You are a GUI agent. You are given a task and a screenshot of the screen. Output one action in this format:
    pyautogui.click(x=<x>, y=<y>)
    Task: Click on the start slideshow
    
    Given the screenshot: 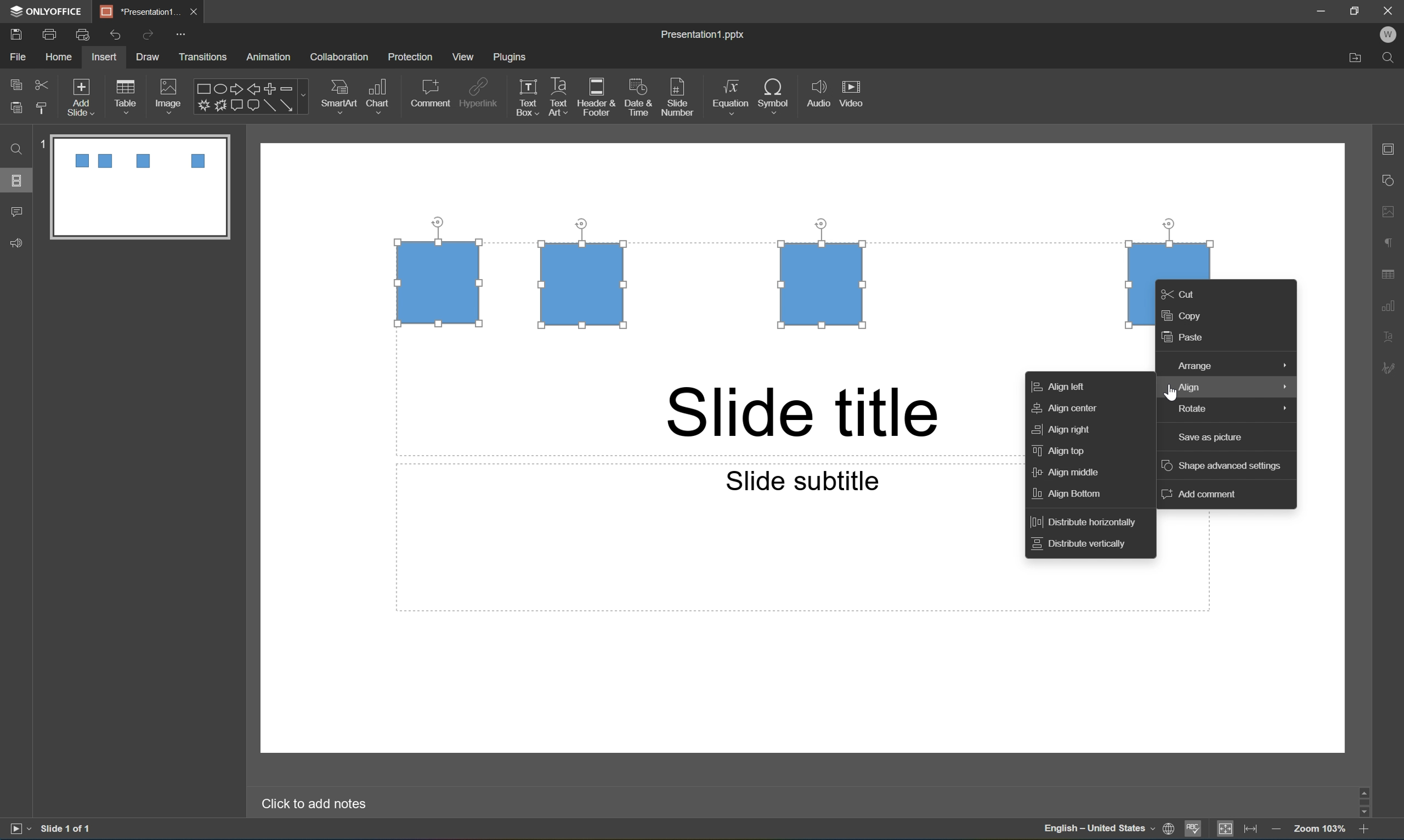 What is the action you would take?
    pyautogui.click(x=19, y=829)
    